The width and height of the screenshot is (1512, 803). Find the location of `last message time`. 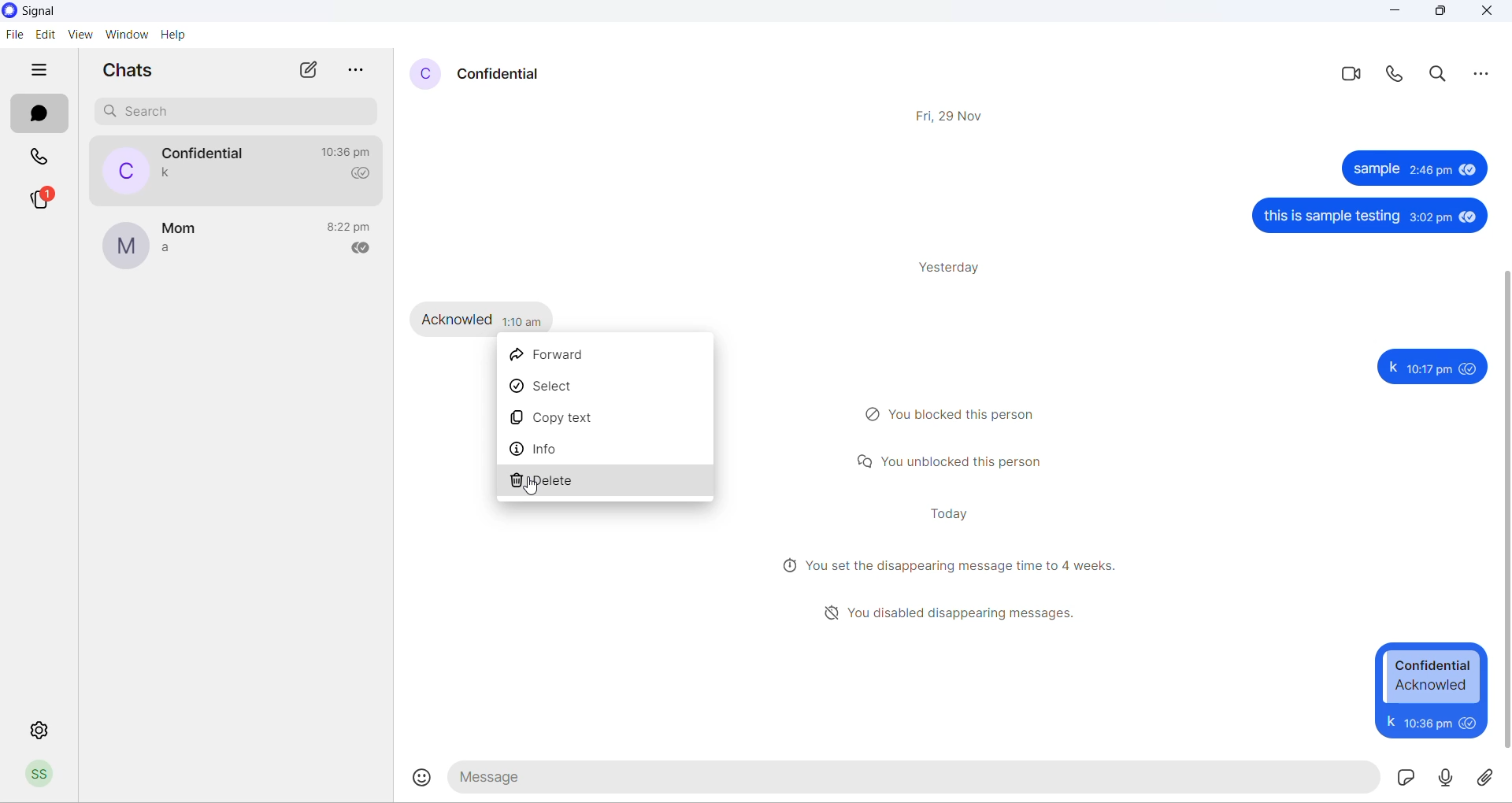

last message time is located at coordinates (355, 154).